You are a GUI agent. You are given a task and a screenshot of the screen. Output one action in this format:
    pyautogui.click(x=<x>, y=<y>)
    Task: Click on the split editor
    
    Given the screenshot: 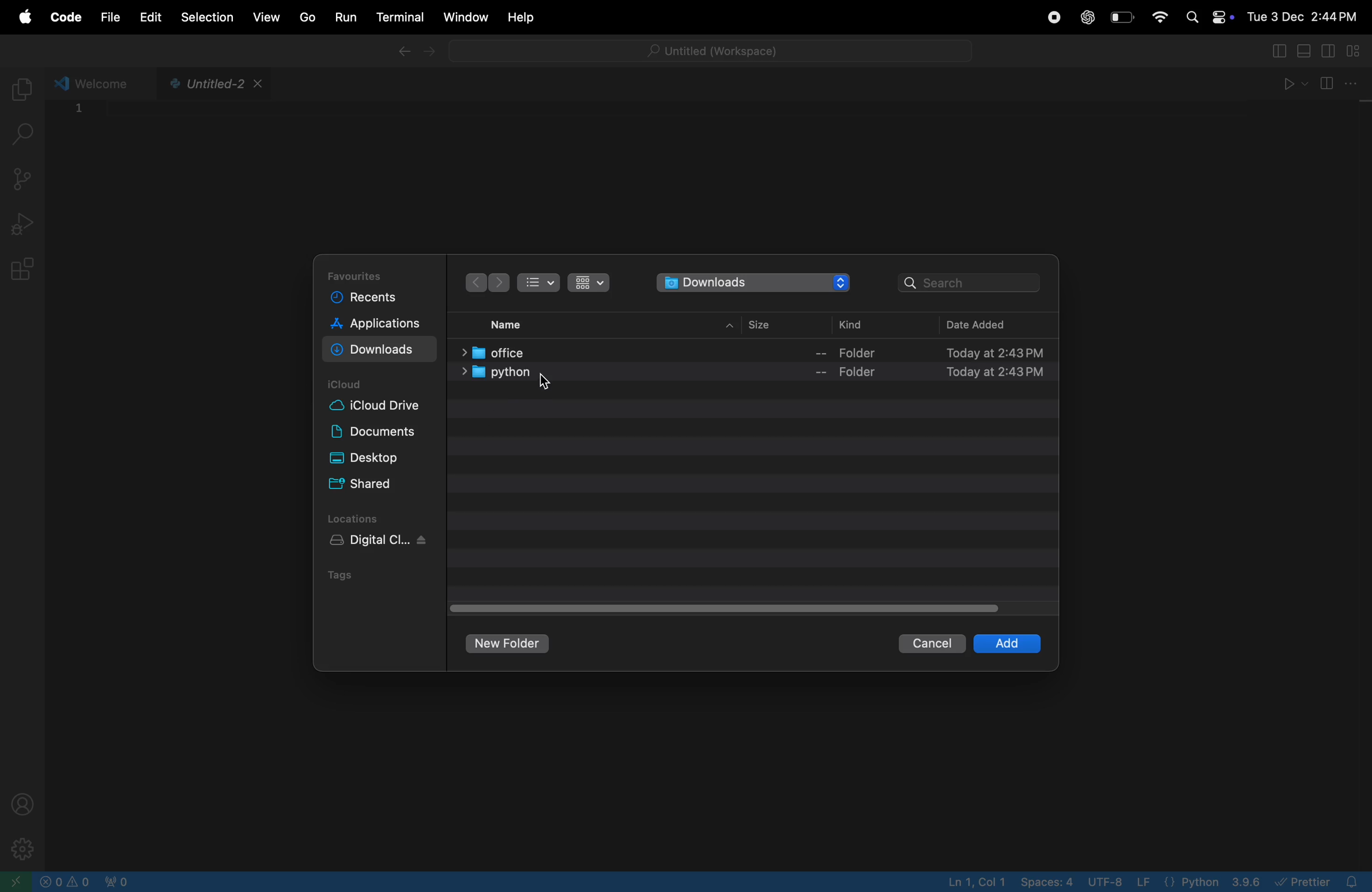 What is the action you would take?
    pyautogui.click(x=1338, y=82)
    